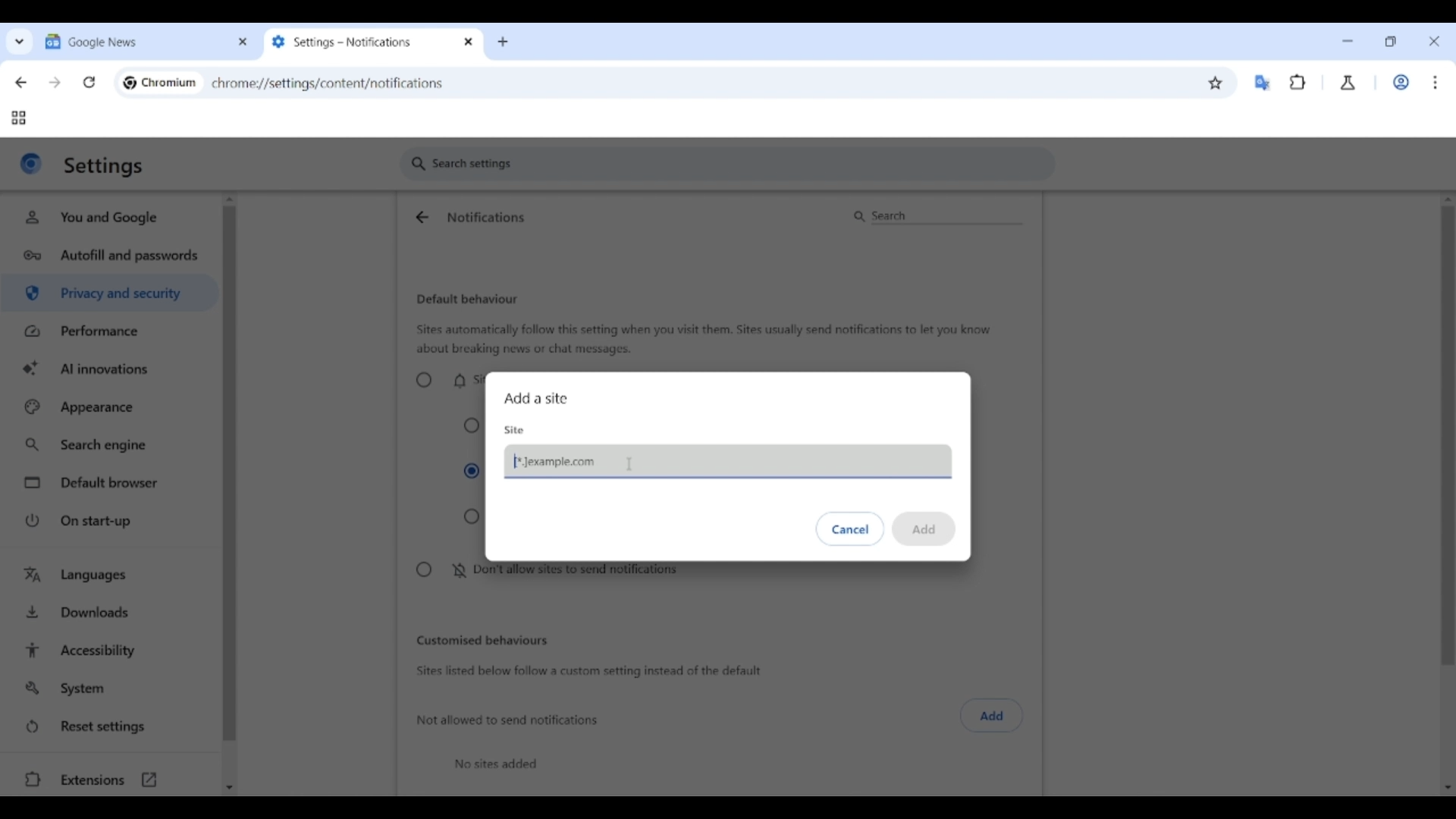 Image resolution: width=1456 pixels, height=819 pixels. What do you see at coordinates (112, 520) in the screenshot?
I see `On start-up` at bounding box center [112, 520].